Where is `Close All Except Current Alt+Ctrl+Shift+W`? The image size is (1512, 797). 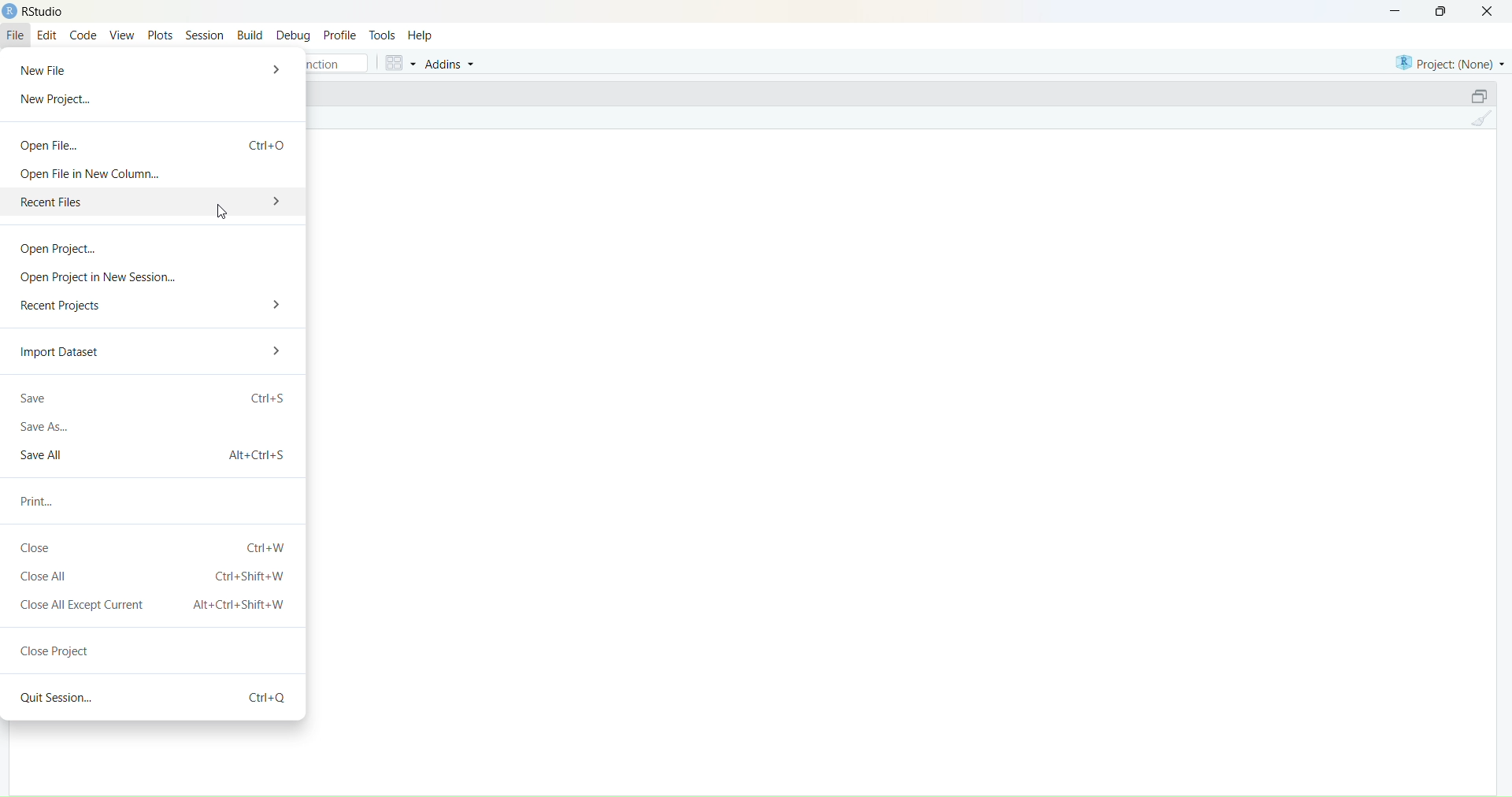
Close All Except Current Alt+Ctrl+Shift+W is located at coordinates (151, 605).